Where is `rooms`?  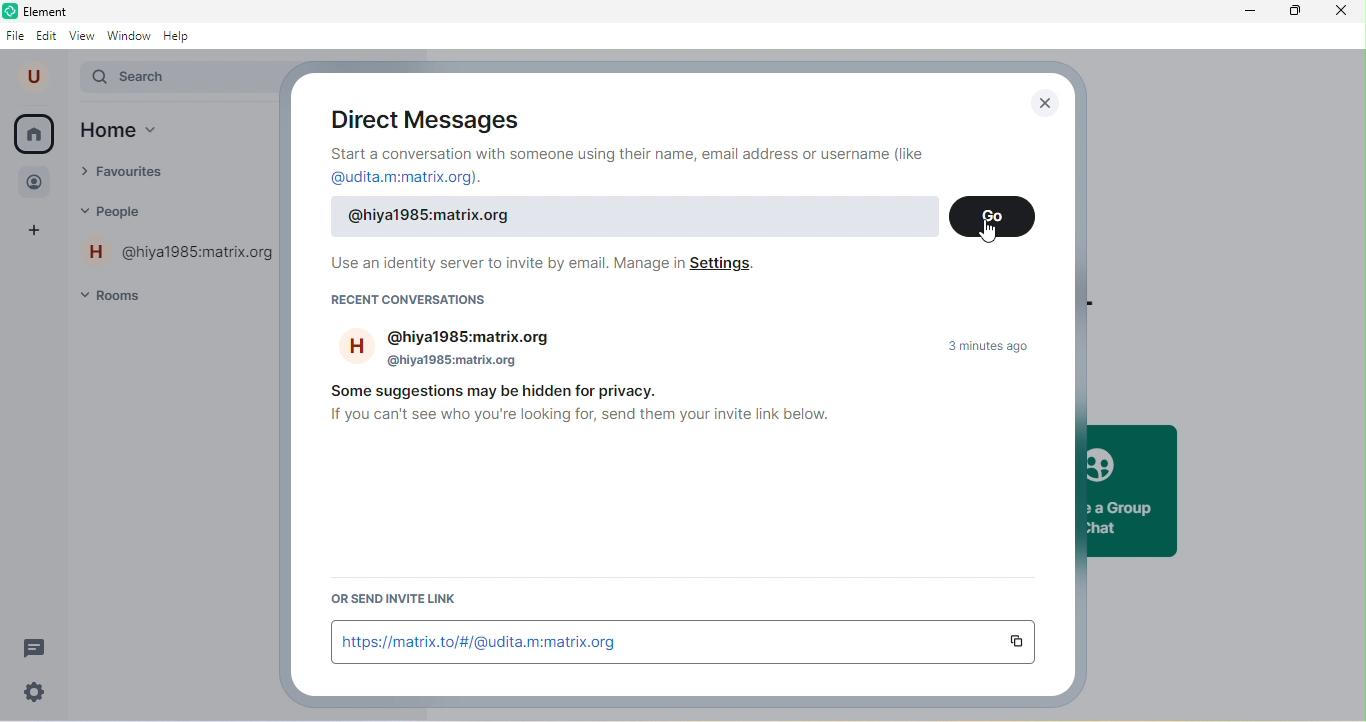
rooms is located at coordinates (123, 294).